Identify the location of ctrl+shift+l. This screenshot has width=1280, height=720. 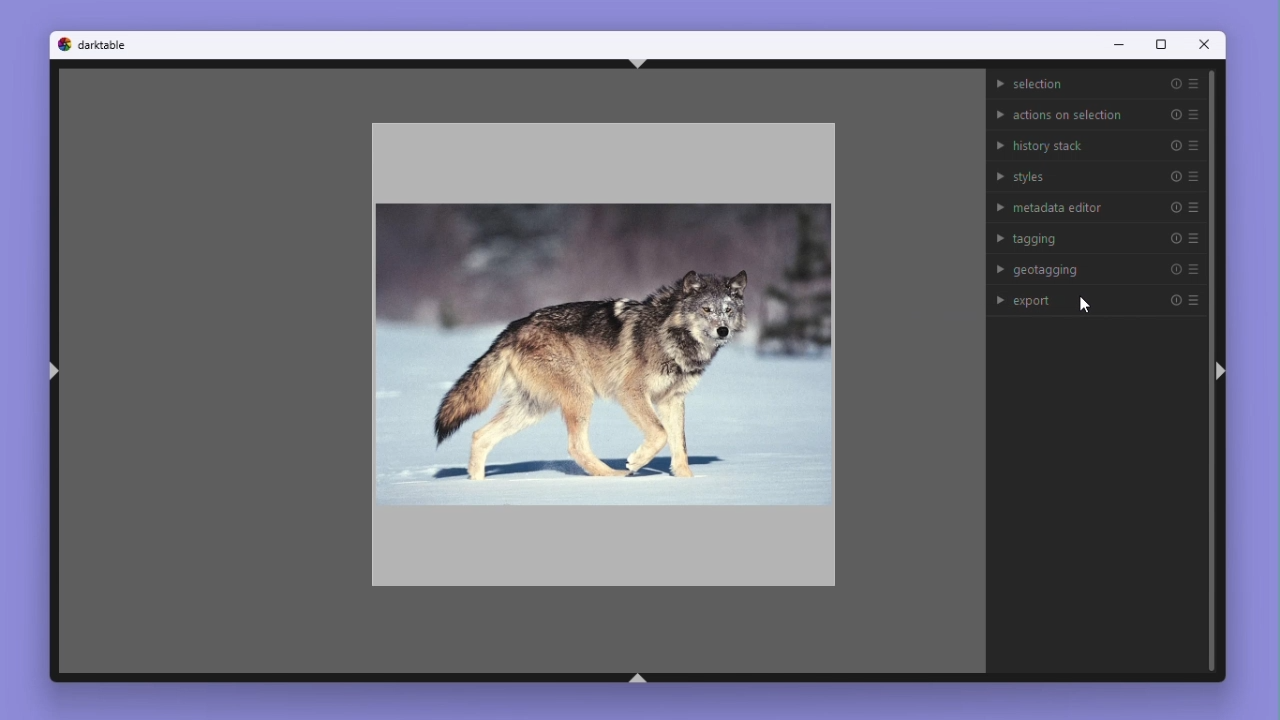
(54, 371).